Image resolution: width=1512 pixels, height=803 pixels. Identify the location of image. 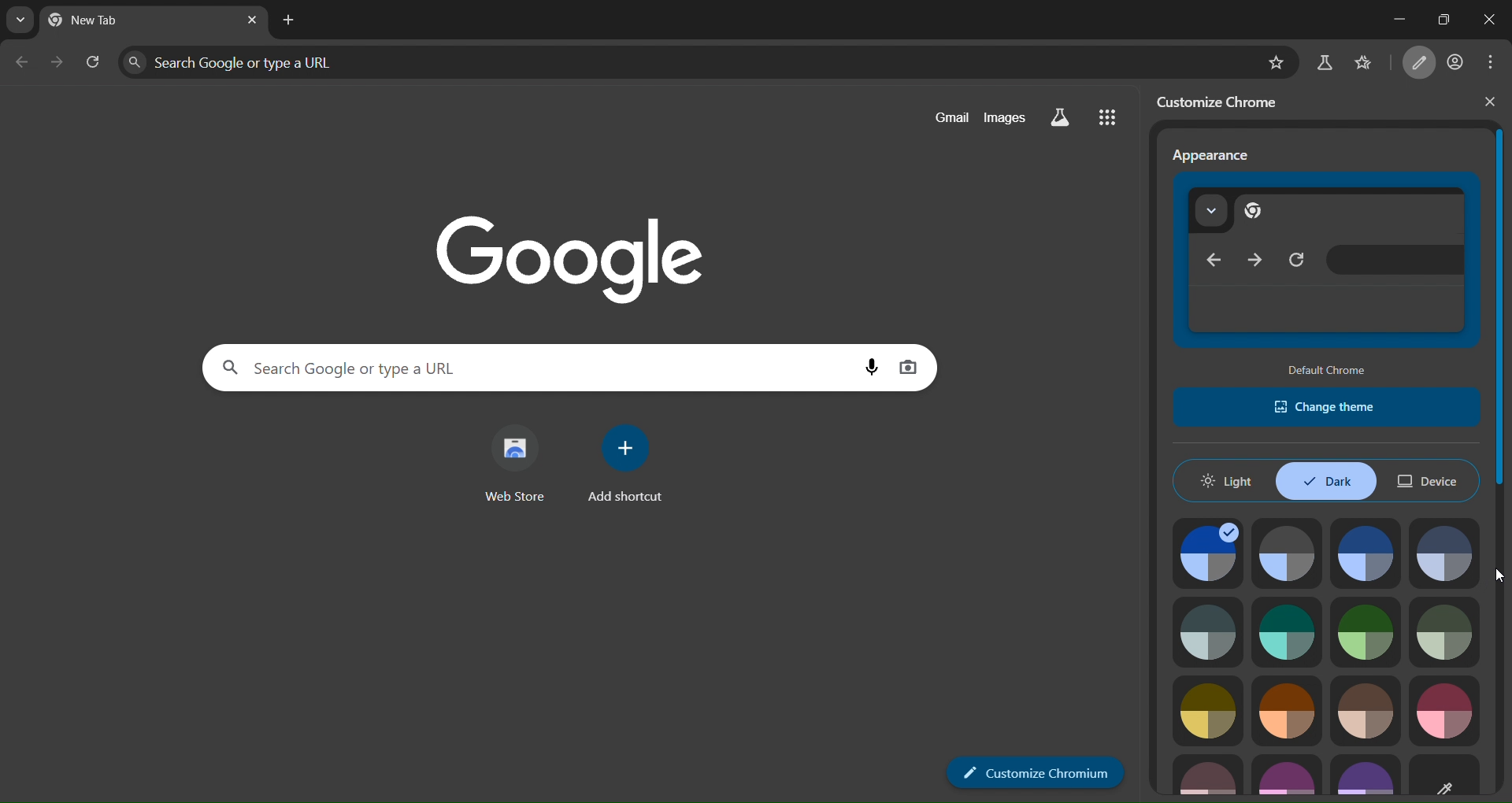
(1208, 631).